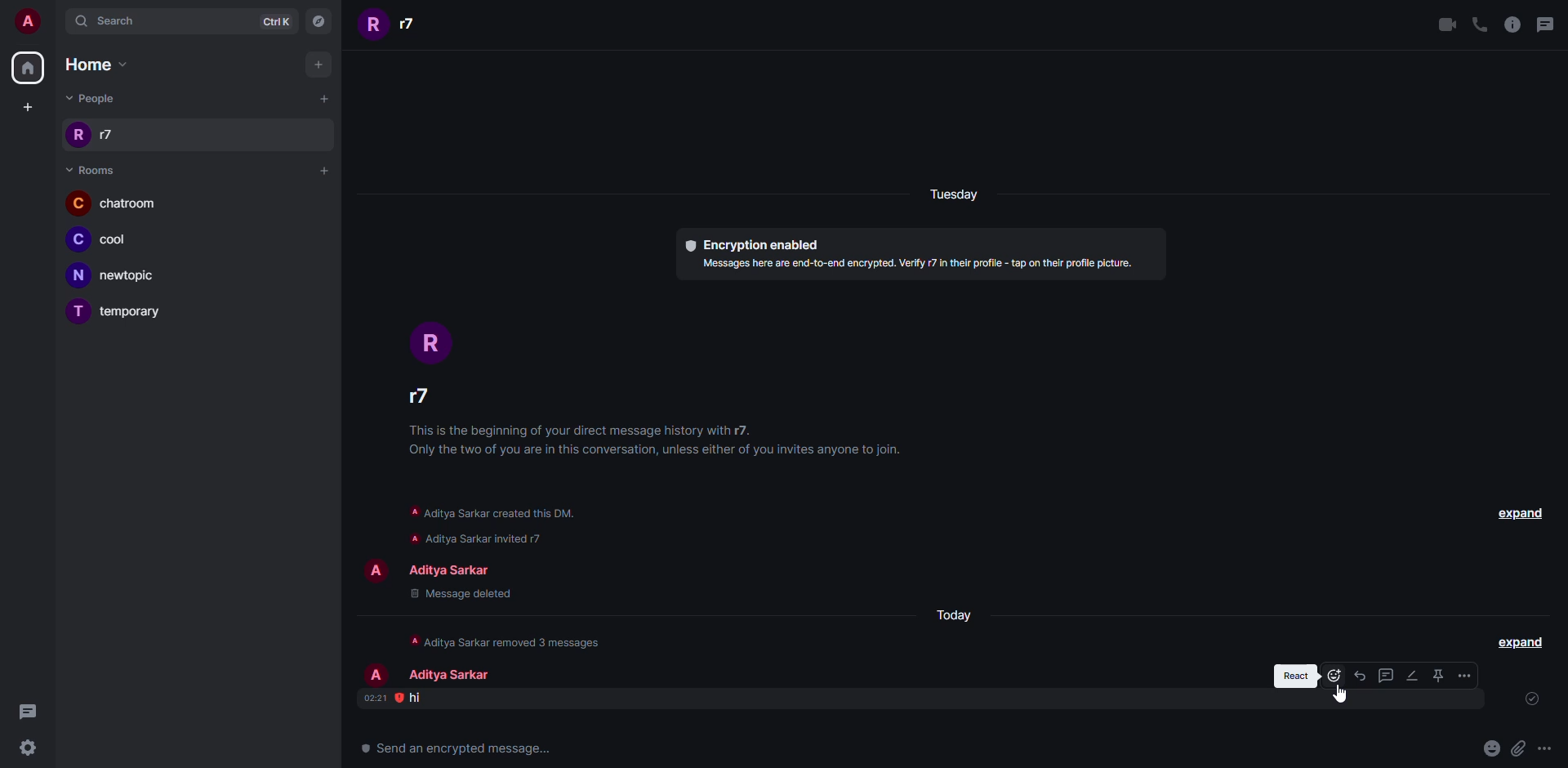  What do you see at coordinates (279, 21) in the screenshot?
I see `ctrlK` at bounding box center [279, 21].